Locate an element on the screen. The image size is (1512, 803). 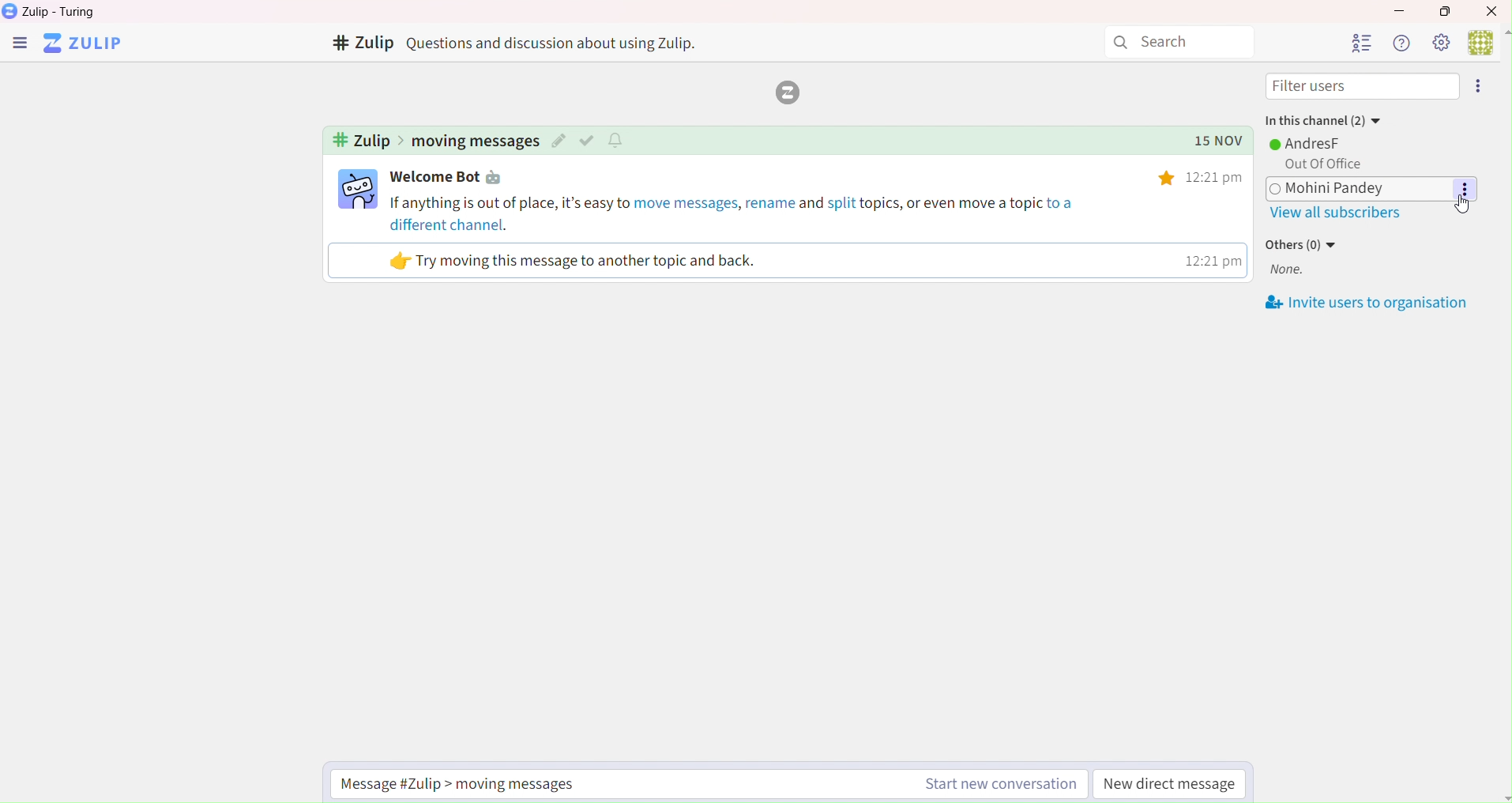
Try moving this message to another topic and back. is located at coordinates (574, 261).